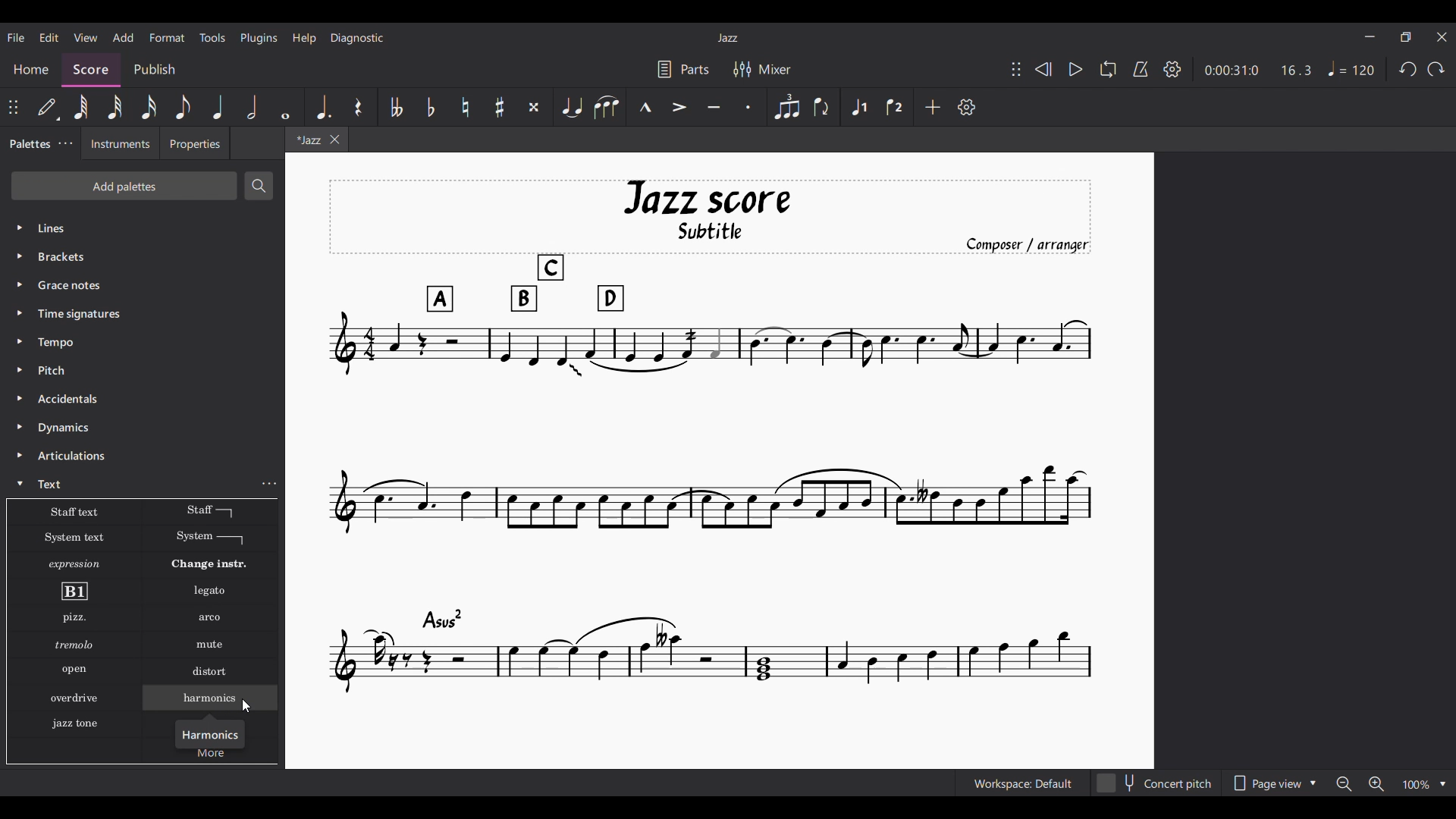 This screenshot has width=1456, height=819. What do you see at coordinates (322, 107) in the screenshot?
I see `Augmentation dot` at bounding box center [322, 107].